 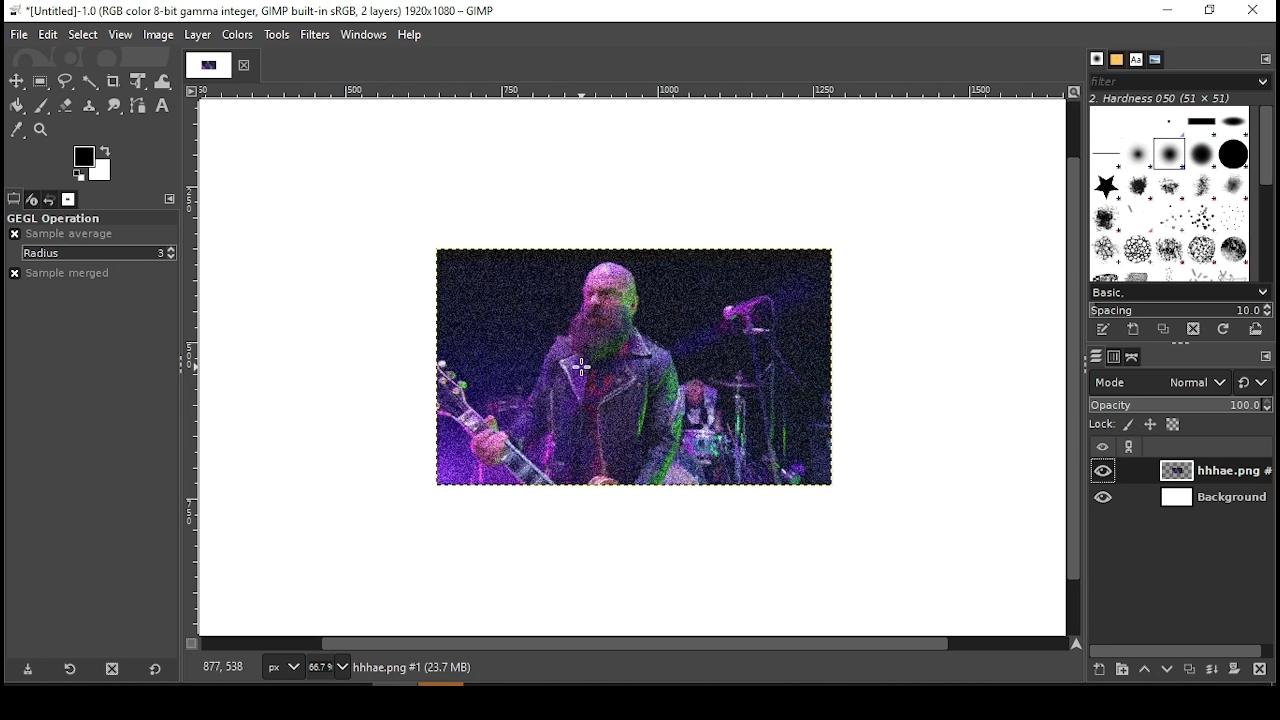 What do you see at coordinates (25, 670) in the screenshot?
I see `save tool preset` at bounding box center [25, 670].